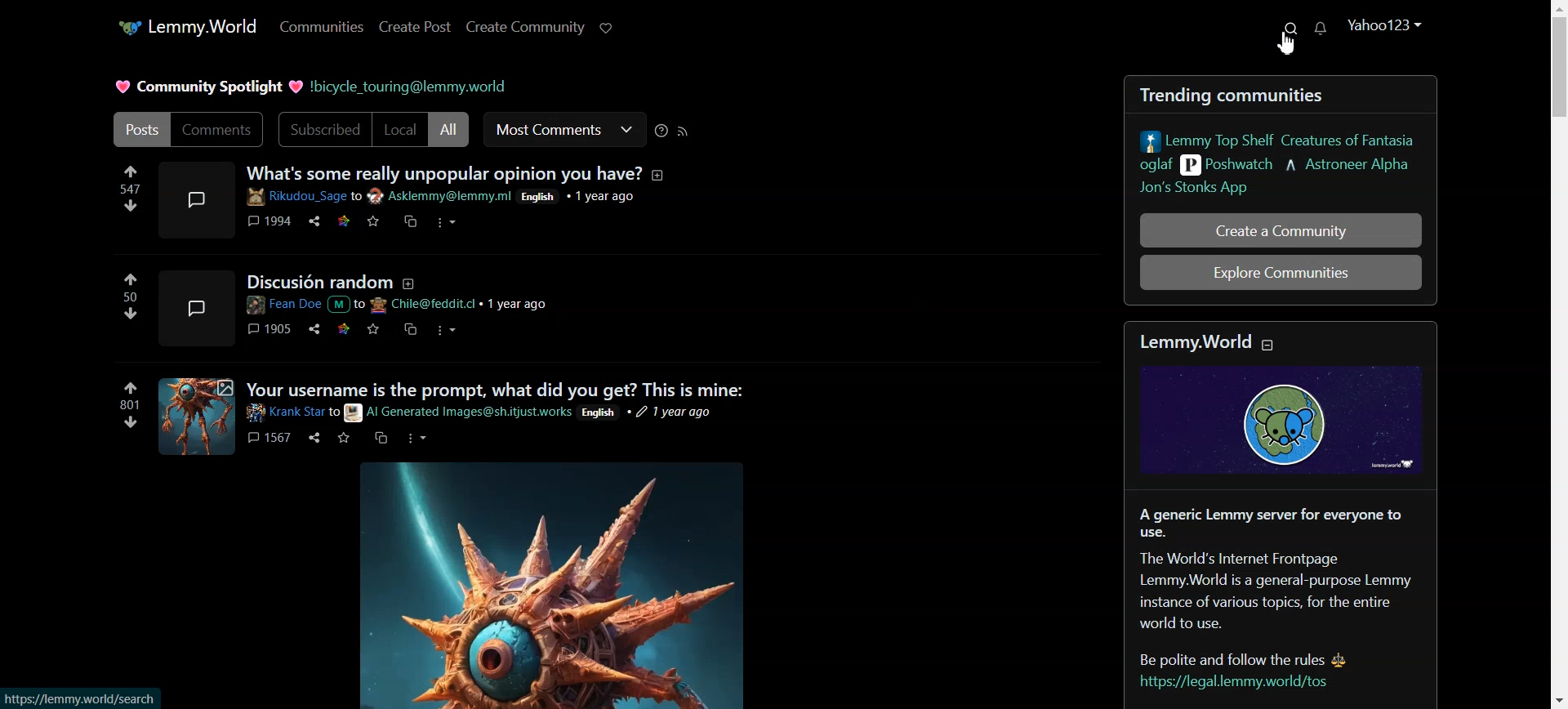 Image resolution: width=1568 pixels, height=709 pixels. What do you see at coordinates (1387, 24) in the screenshot?
I see `Profile` at bounding box center [1387, 24].